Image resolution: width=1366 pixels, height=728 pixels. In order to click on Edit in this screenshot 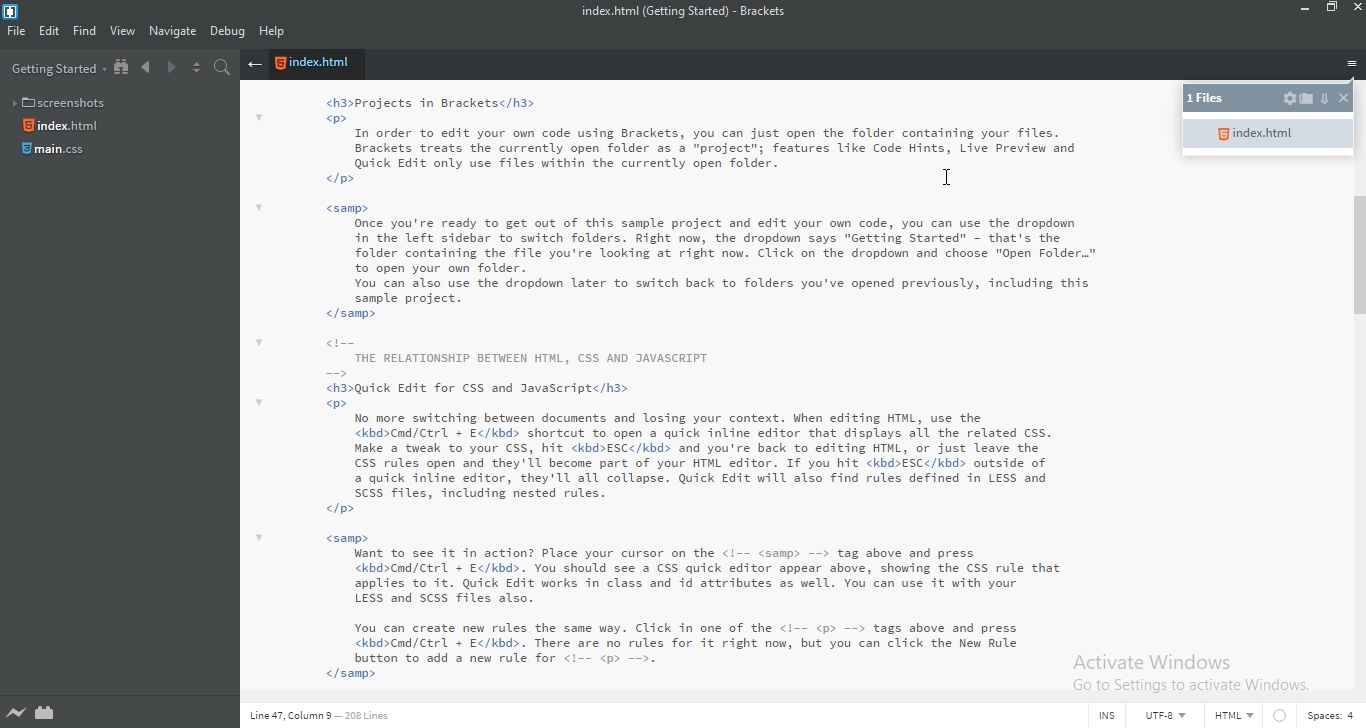, I will do `click(49, 33)`.